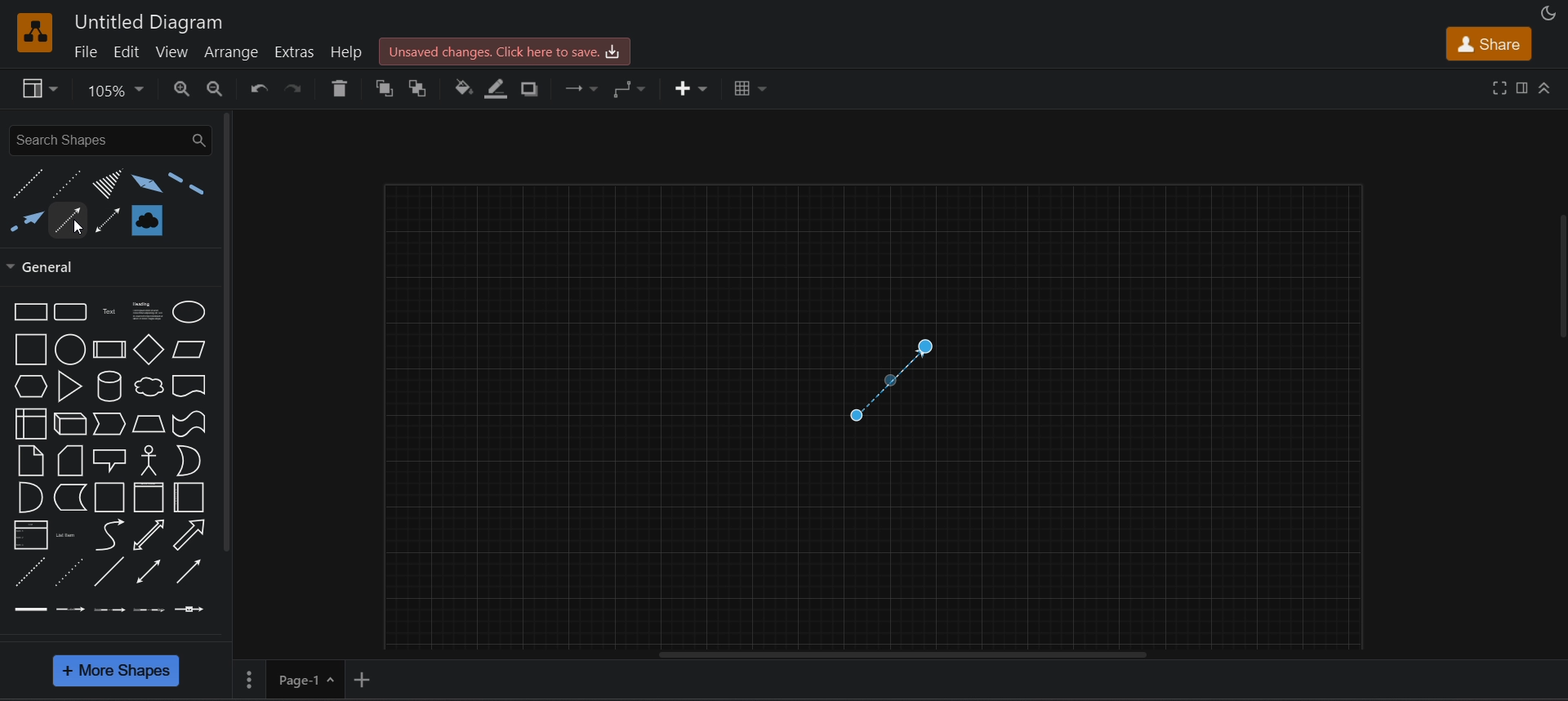 Image resolution: width=1568 pixels, height=701 pixels. Describe the element at coordinates (65, 533) in the screenshot. I see `list item` at that location.